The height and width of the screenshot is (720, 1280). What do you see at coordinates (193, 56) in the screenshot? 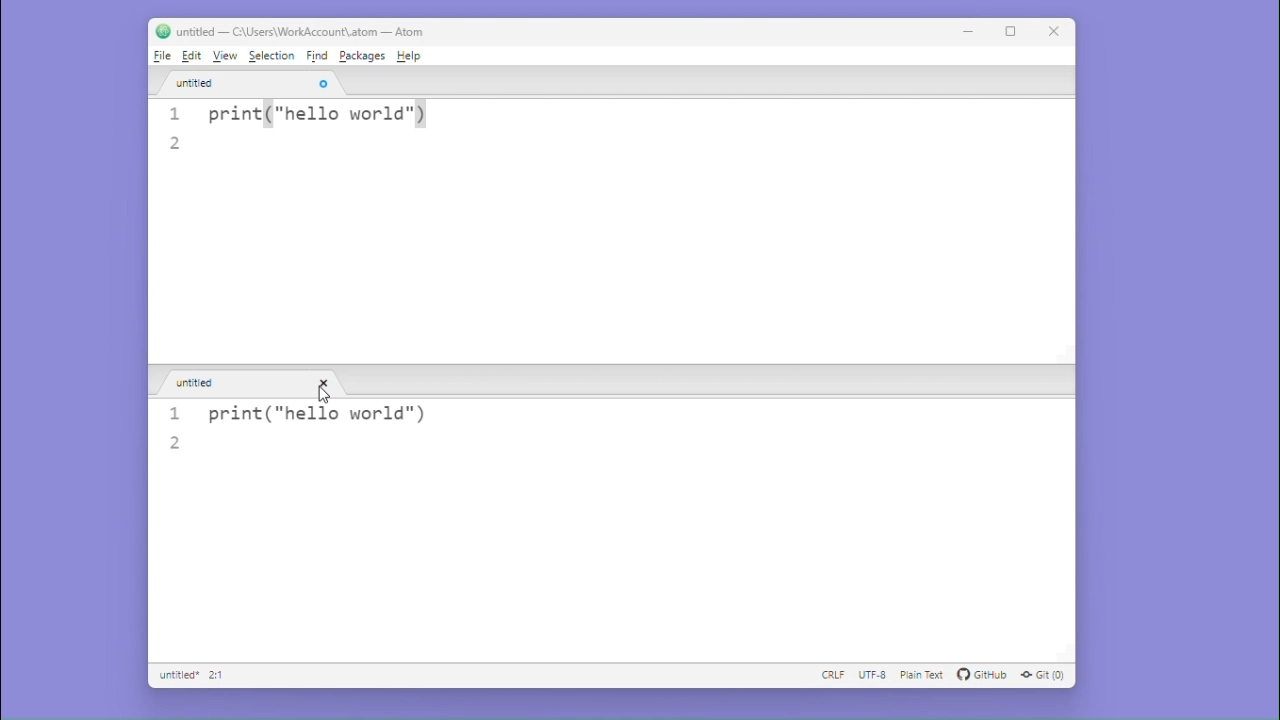
I see `Edit` at bounding box center [193, 56].